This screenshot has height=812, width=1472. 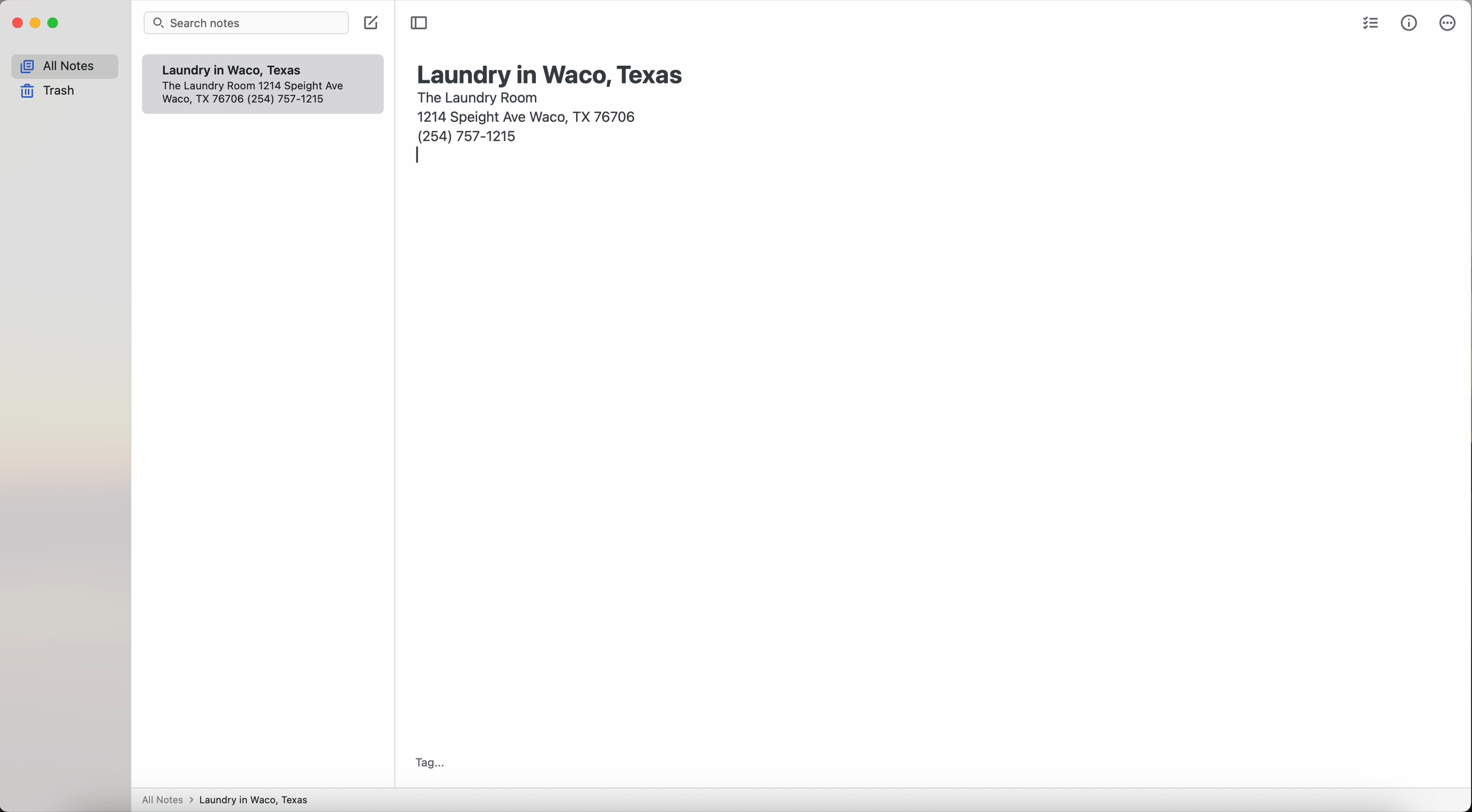 I want to click on all notes, so click(x=65, y=66).